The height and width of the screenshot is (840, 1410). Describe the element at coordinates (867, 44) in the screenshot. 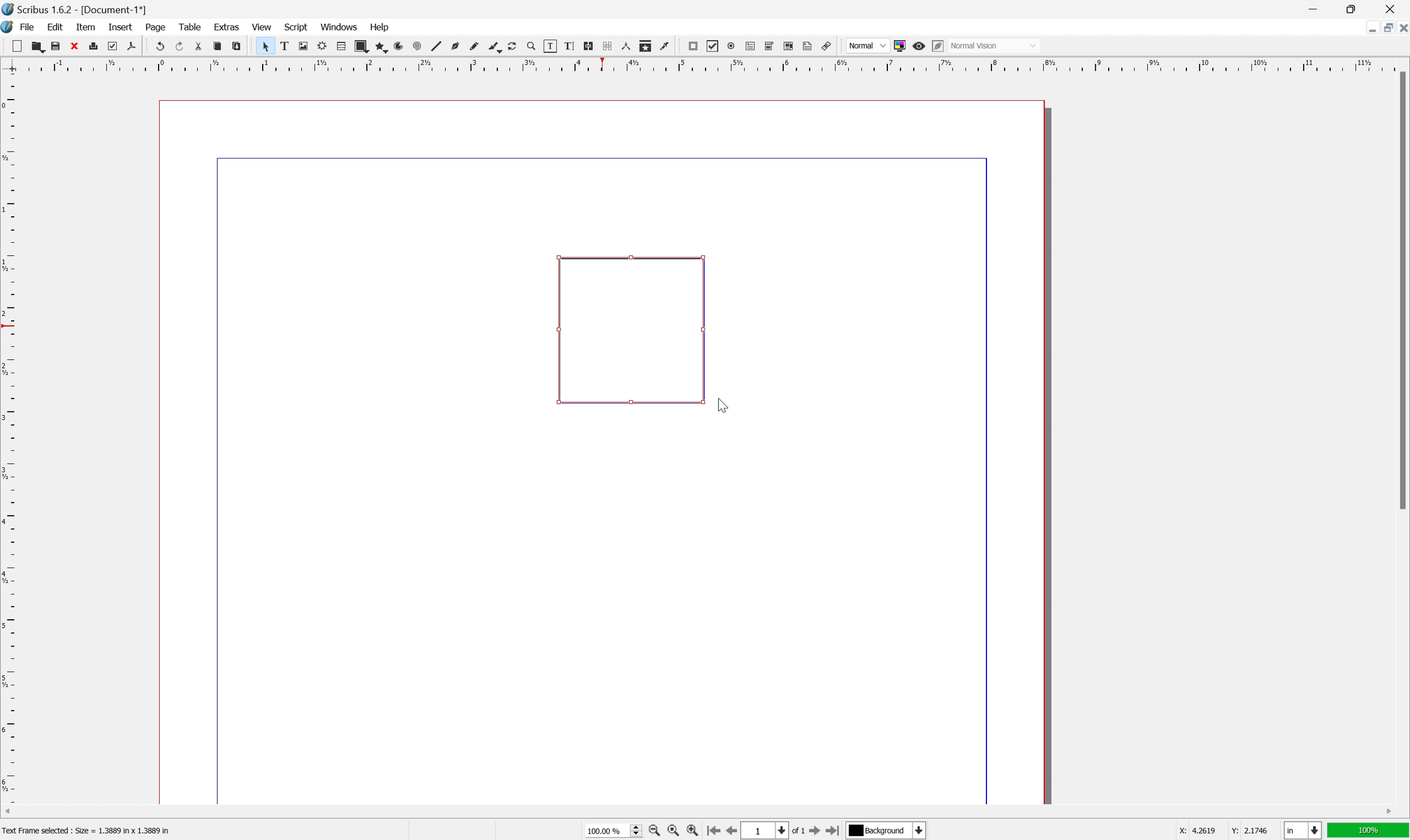

I see `normal` at that location.